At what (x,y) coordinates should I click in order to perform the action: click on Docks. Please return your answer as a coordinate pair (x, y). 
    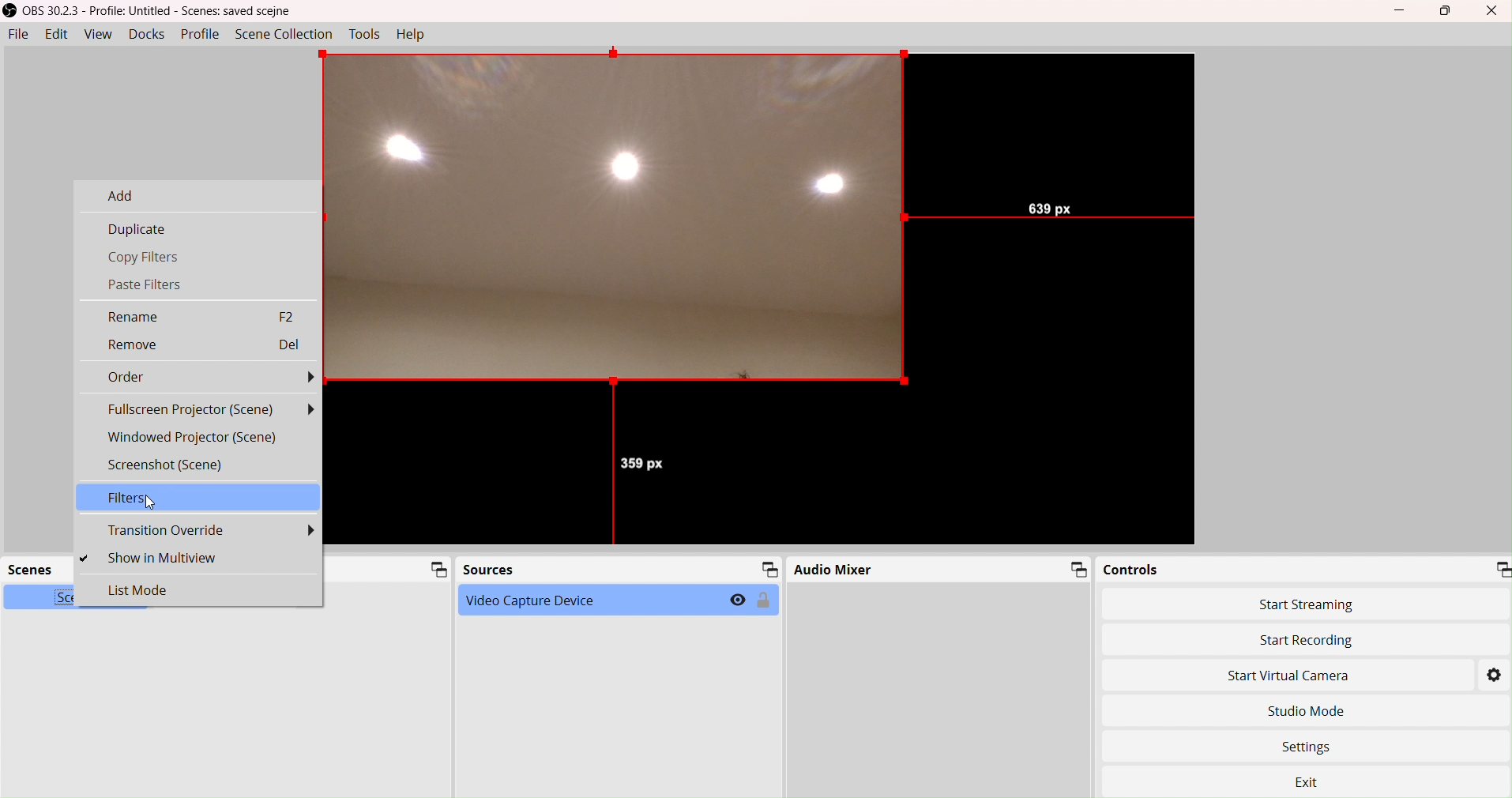
    Looking at the image, I should click on (151, 36).